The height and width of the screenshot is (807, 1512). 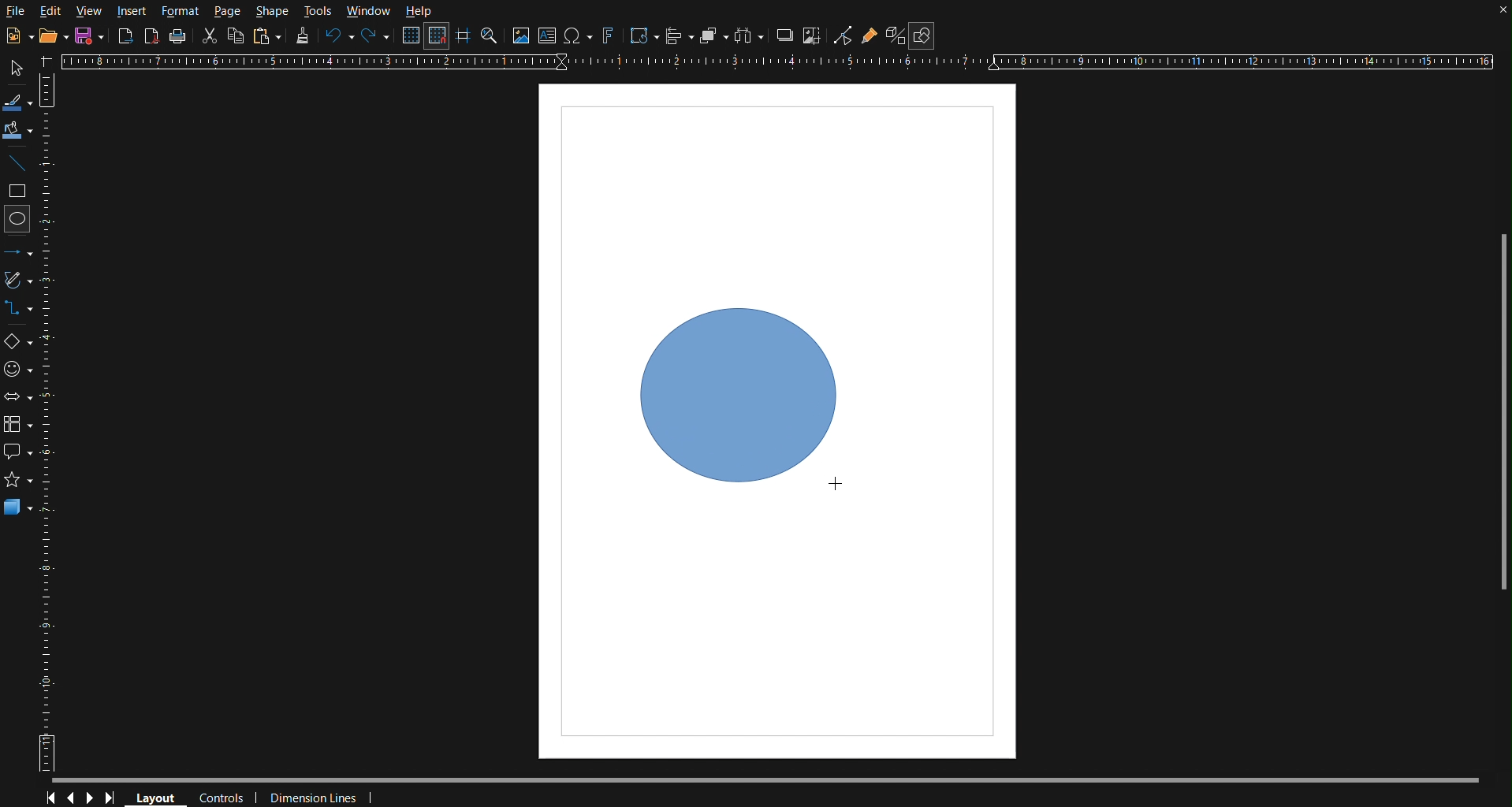 What do you see at coordinates (161, 796) in the screenshot?
I see `Layout` at bounding box center [161, 796].